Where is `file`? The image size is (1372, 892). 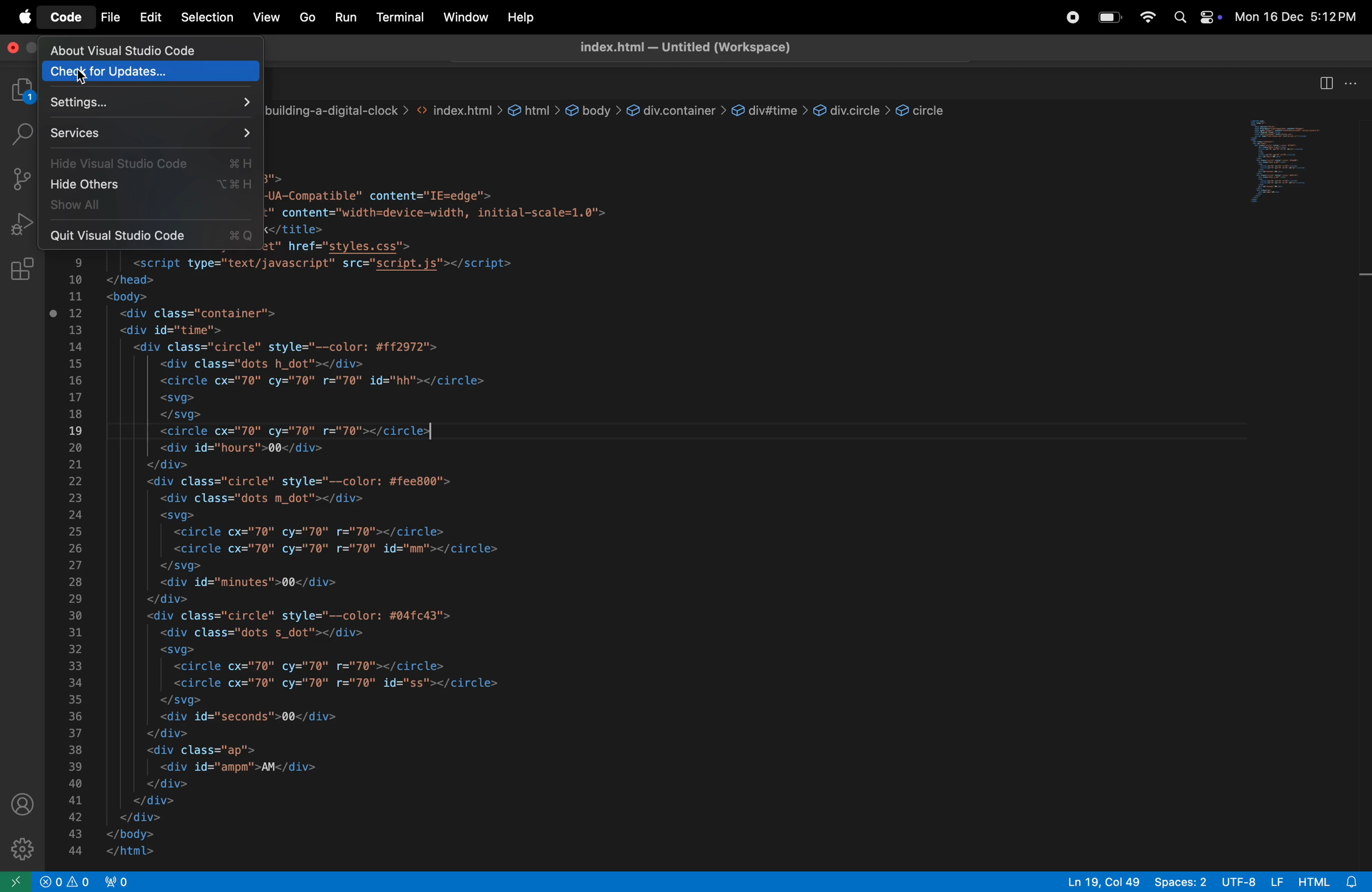
file is located at coordinates (107, 18).